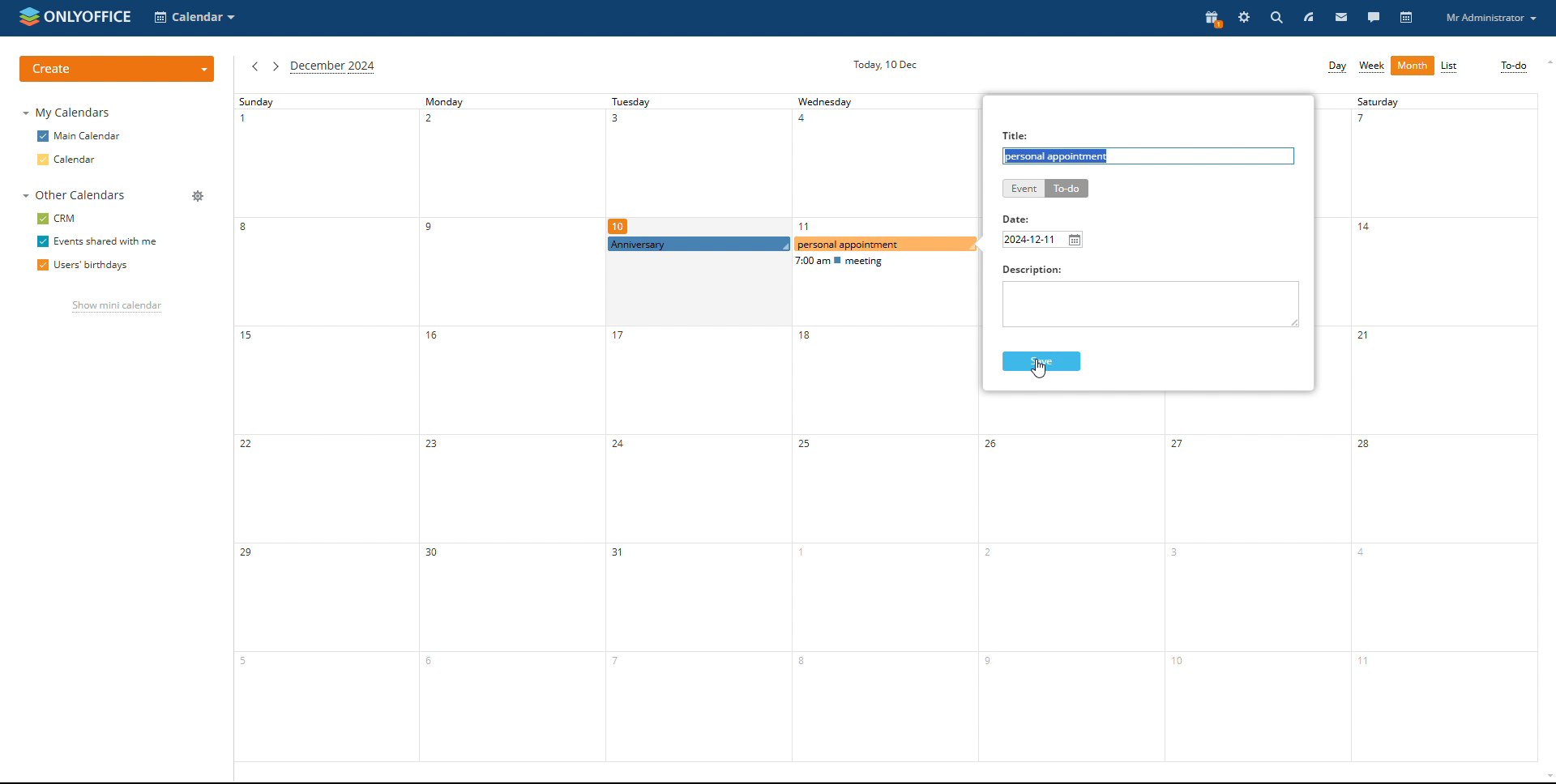 The height and width of the screenshot is (784, 1556). What do you see at coordinates (83, 266) in the screenshot?
I see `users' birthdays` at bounding box center [83, 266].